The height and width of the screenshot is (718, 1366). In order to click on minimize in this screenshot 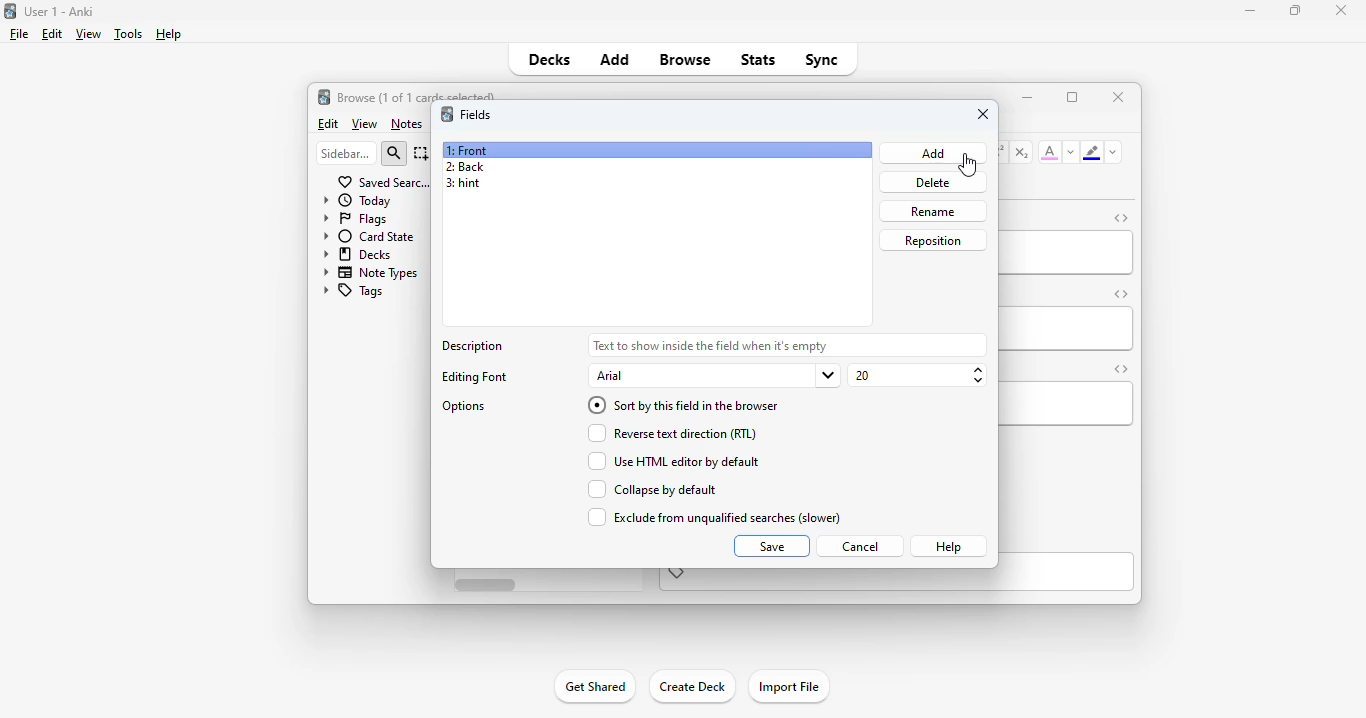, I will do `click(1251, 10)`.